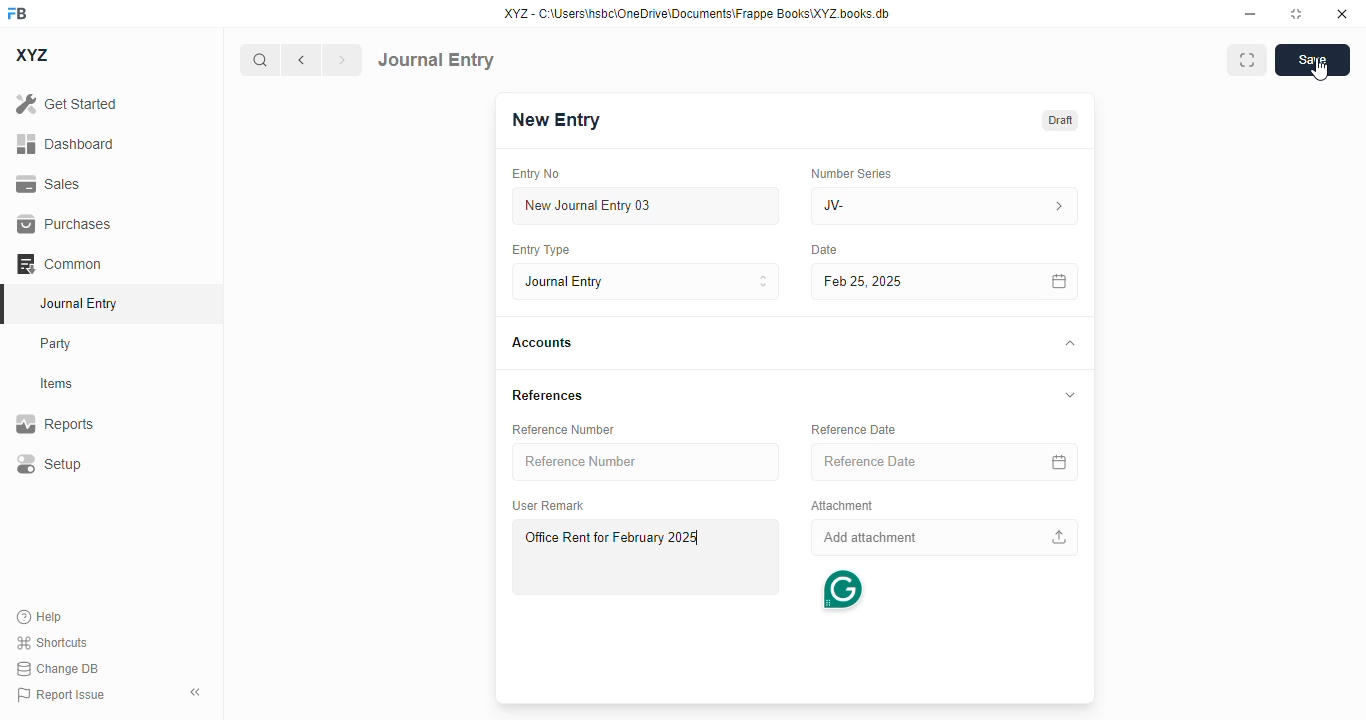  What do you see at coordinates (1251, 13) in the screenshot?
I see `minimize` at bounding box center [1251, 13].